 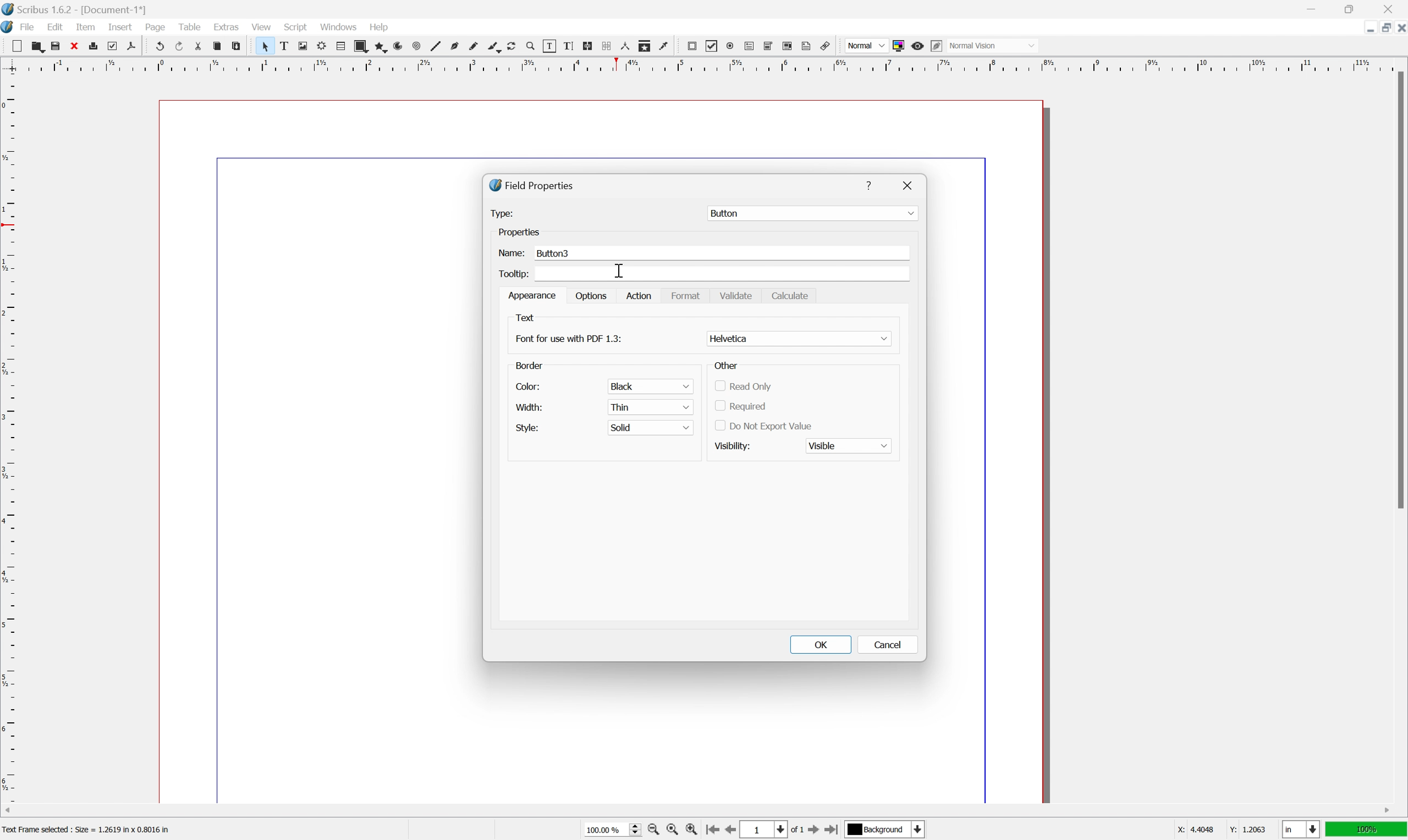 I want to click on Help, so click(x=868, y=186).